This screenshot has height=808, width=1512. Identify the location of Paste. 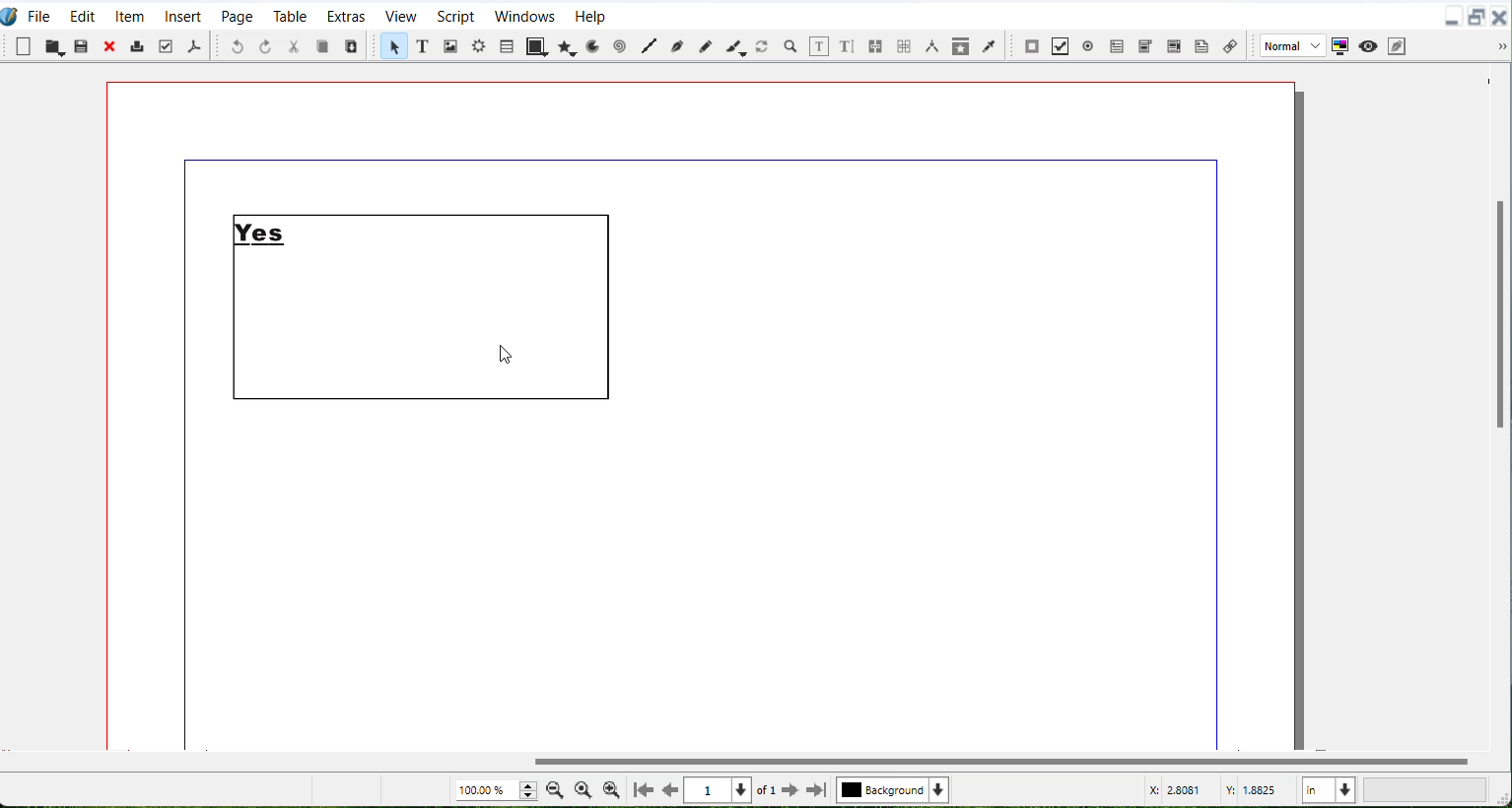
(82, 46).